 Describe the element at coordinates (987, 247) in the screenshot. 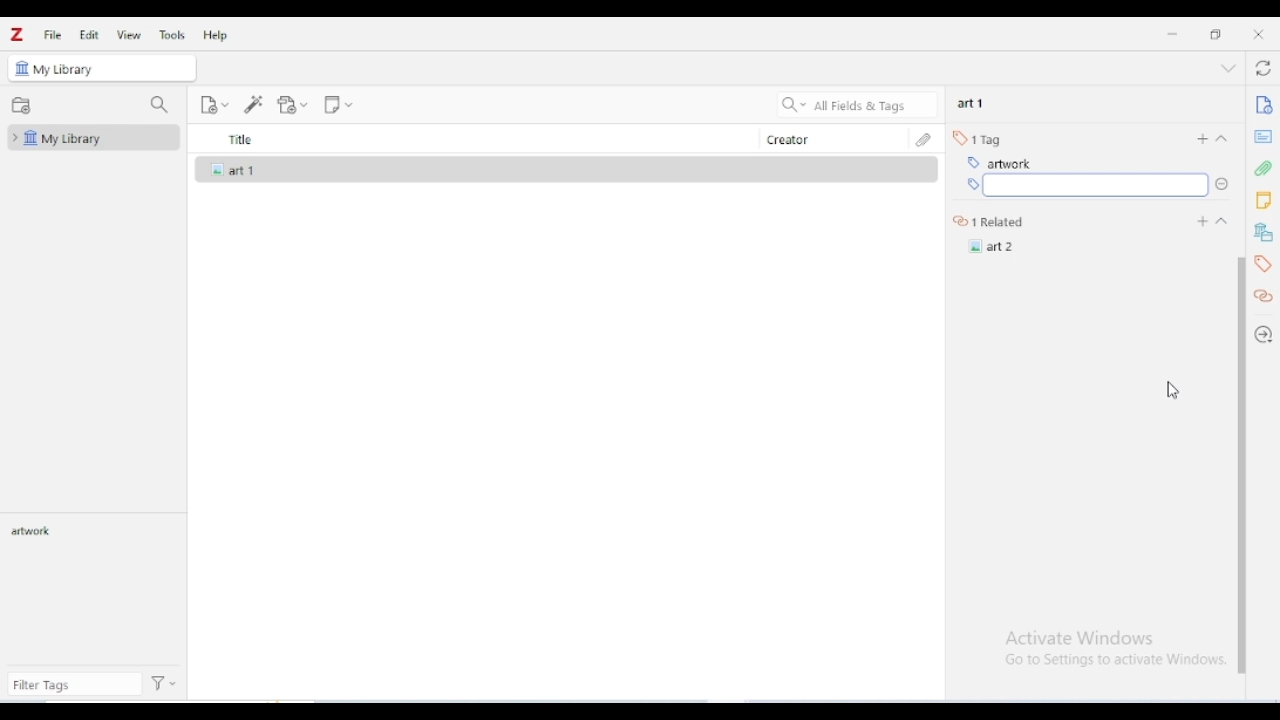

I see `Art 2` at that location.